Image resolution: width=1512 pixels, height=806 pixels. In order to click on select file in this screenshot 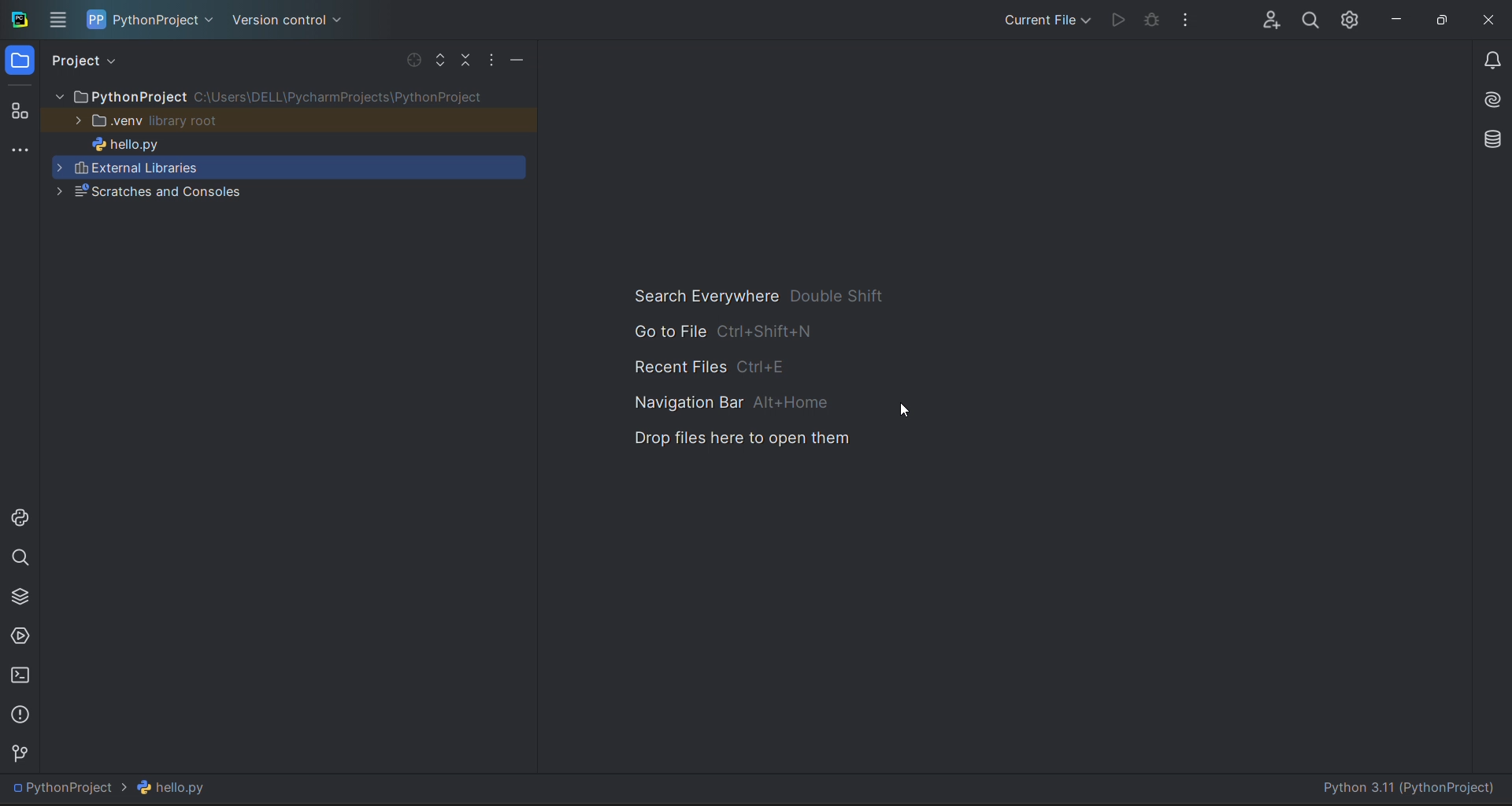, I will do `click(414, 59)`.